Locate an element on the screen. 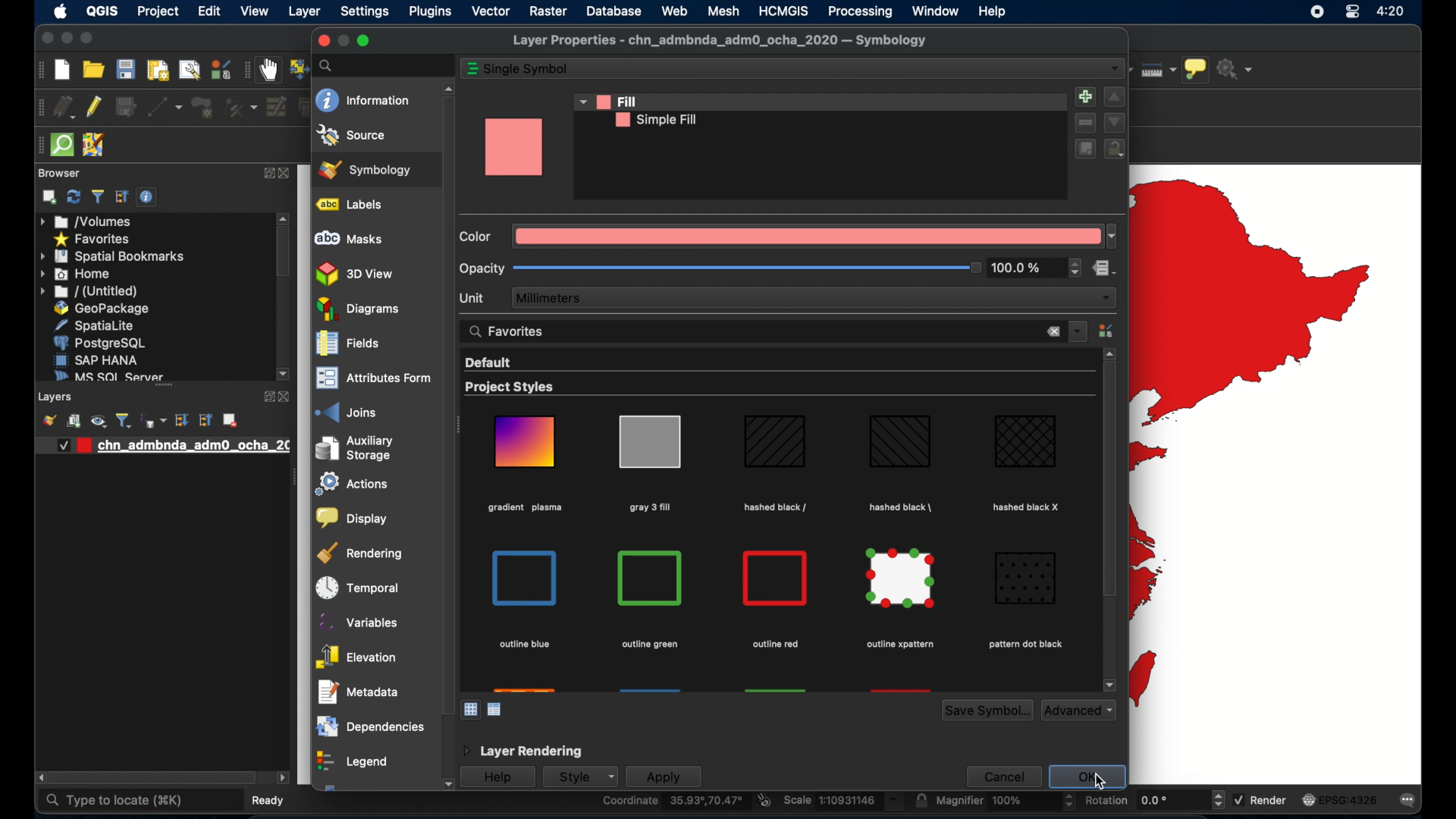 The height and width of the screenshot is (819, 1456). settings is located at coordinates (366, 12).